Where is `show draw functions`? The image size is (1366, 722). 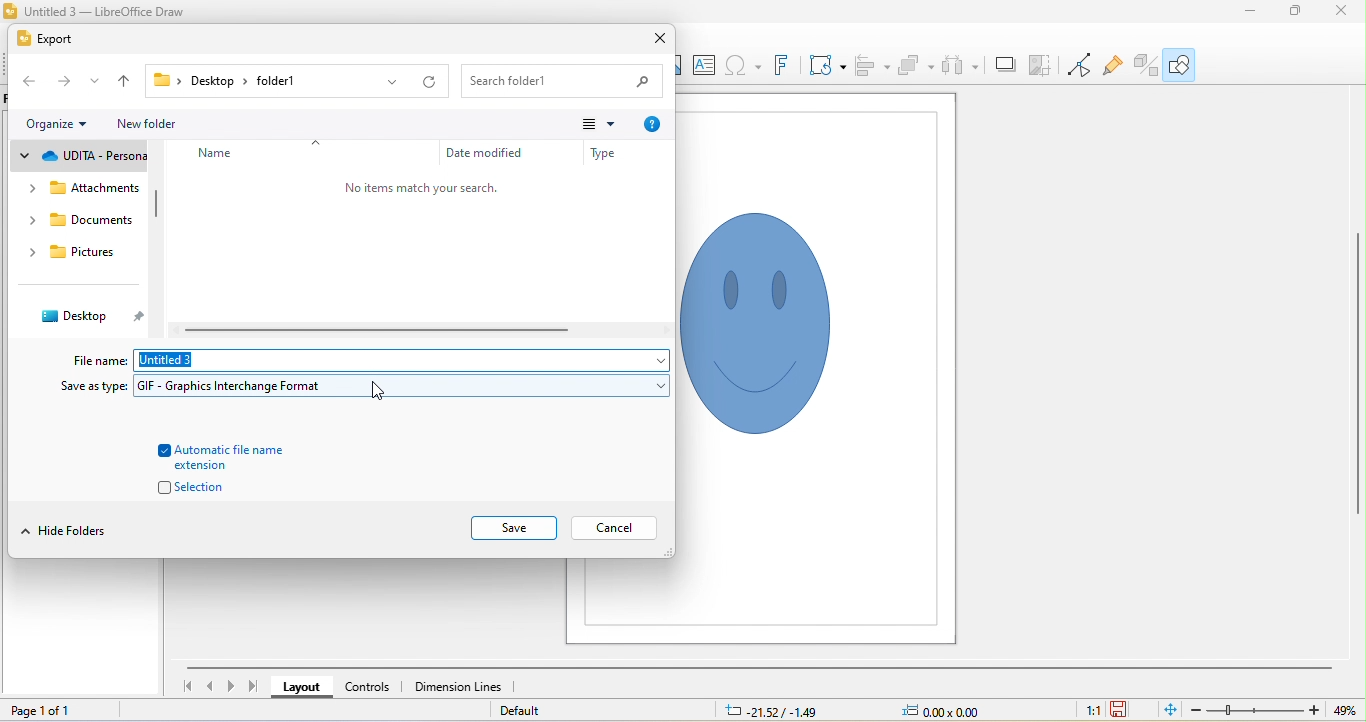
show draw functions is located at coordinates (1180, 64).